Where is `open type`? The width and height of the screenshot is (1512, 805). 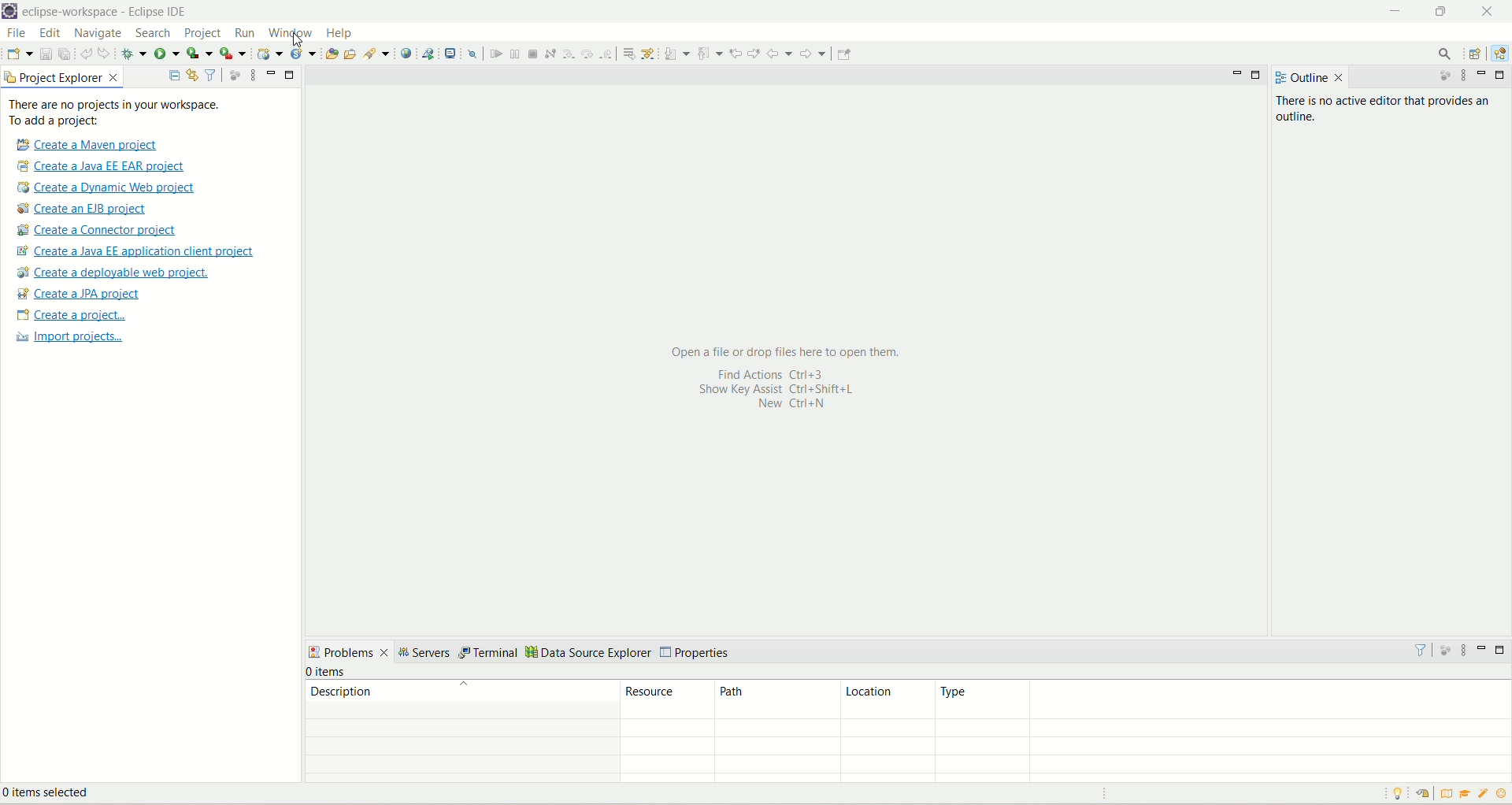 open type is located at coordinates (332, 52).